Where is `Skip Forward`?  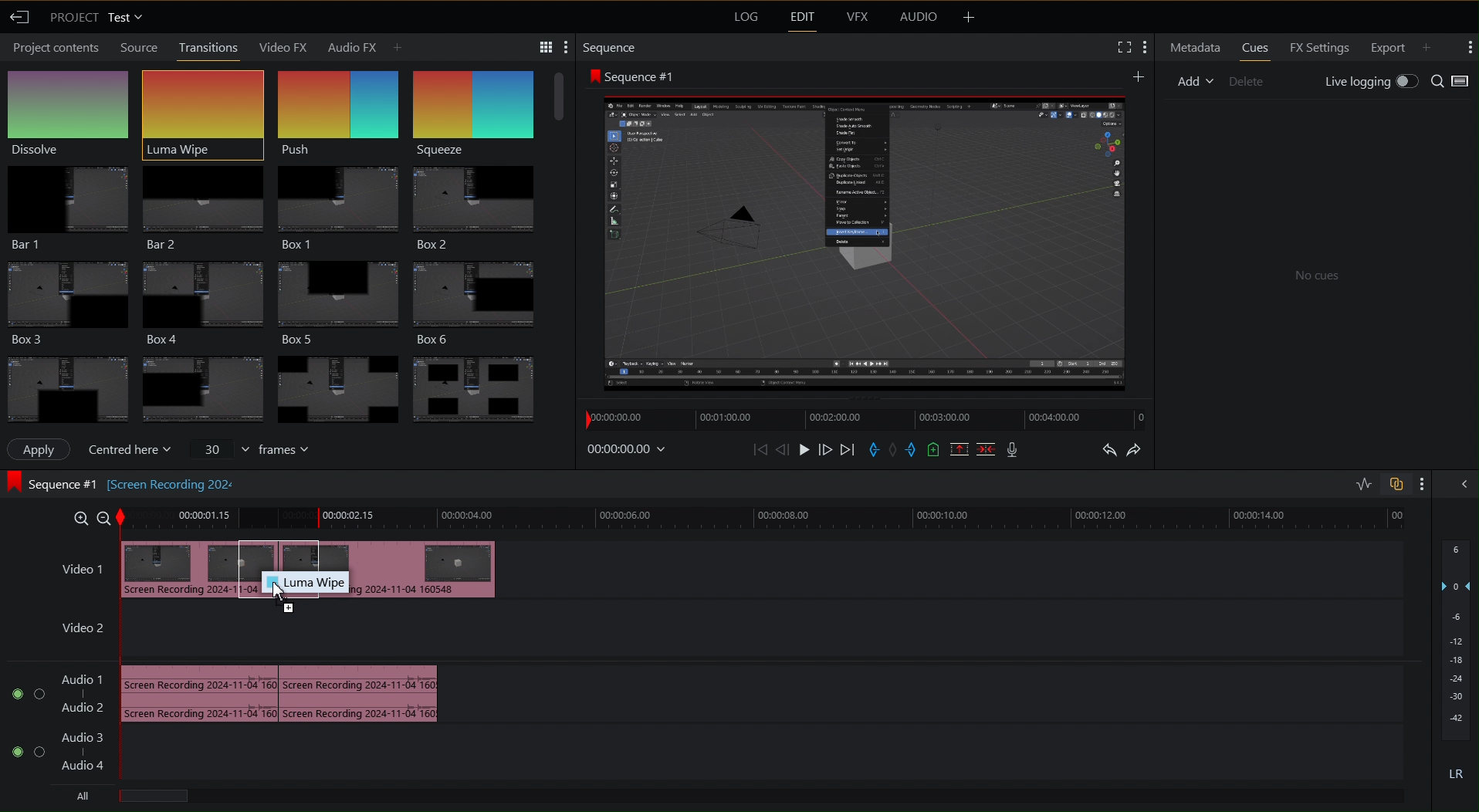
Skip Forward is located at coordinates (846, 450).